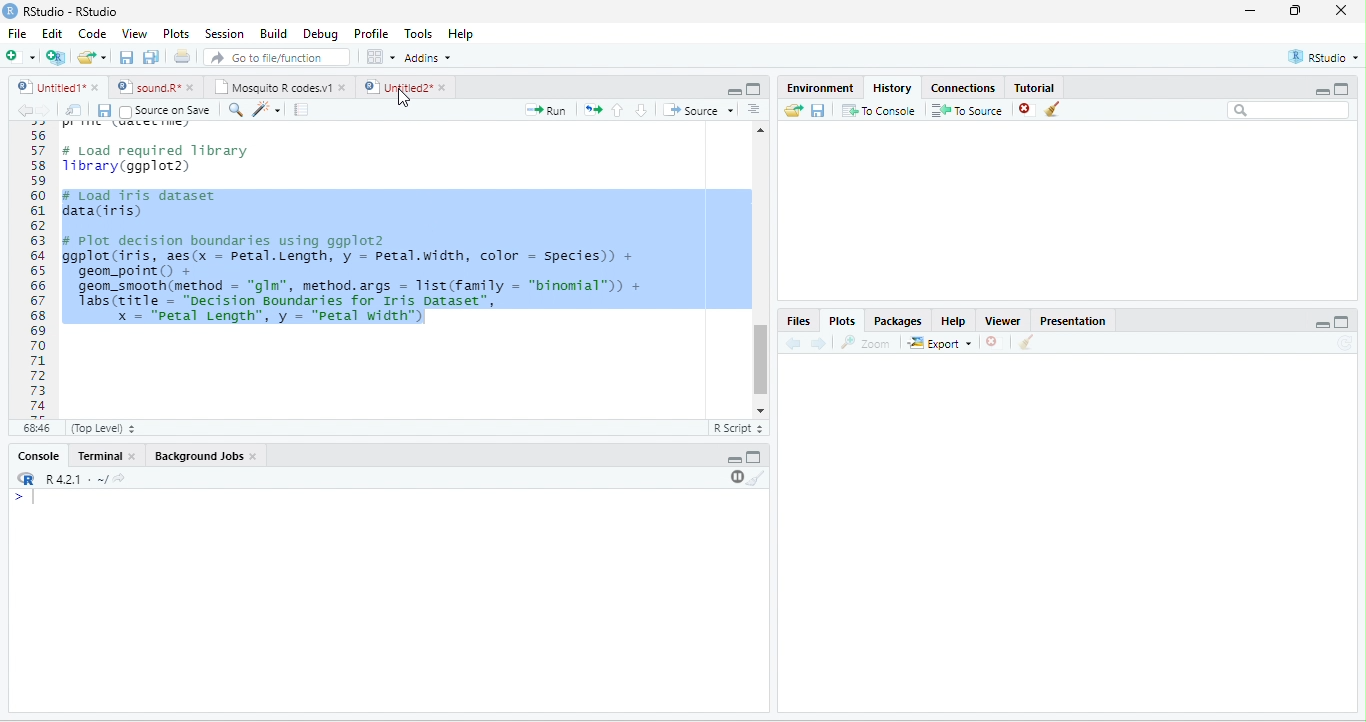 Image resolution: width=1366 pixels, height=722 pixels. I want to click on 68:46, so click(36, 428).